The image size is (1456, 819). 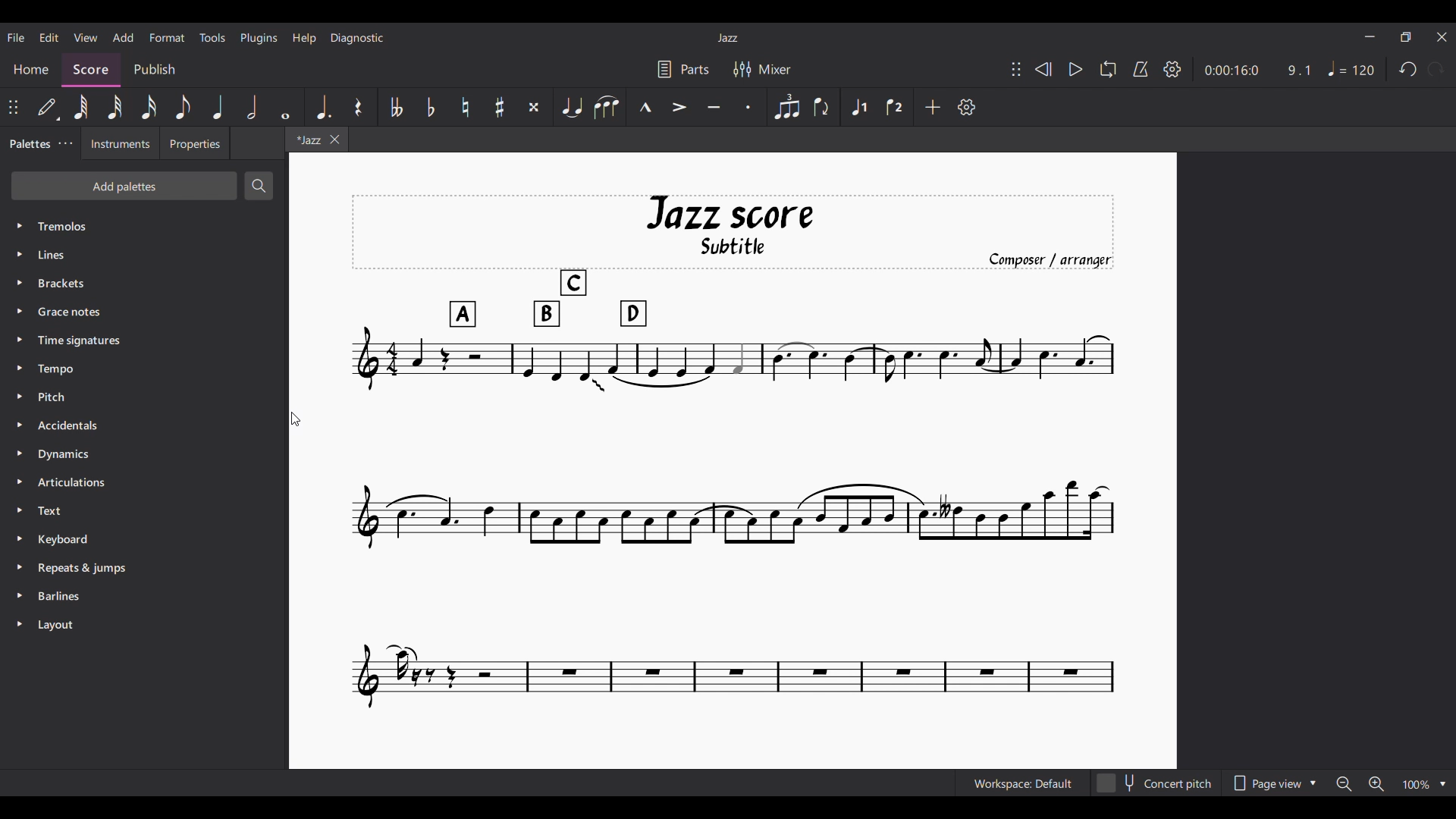 I want to click on Rehearsal marks sequenced alphabetically, so click(x=548, y=300).